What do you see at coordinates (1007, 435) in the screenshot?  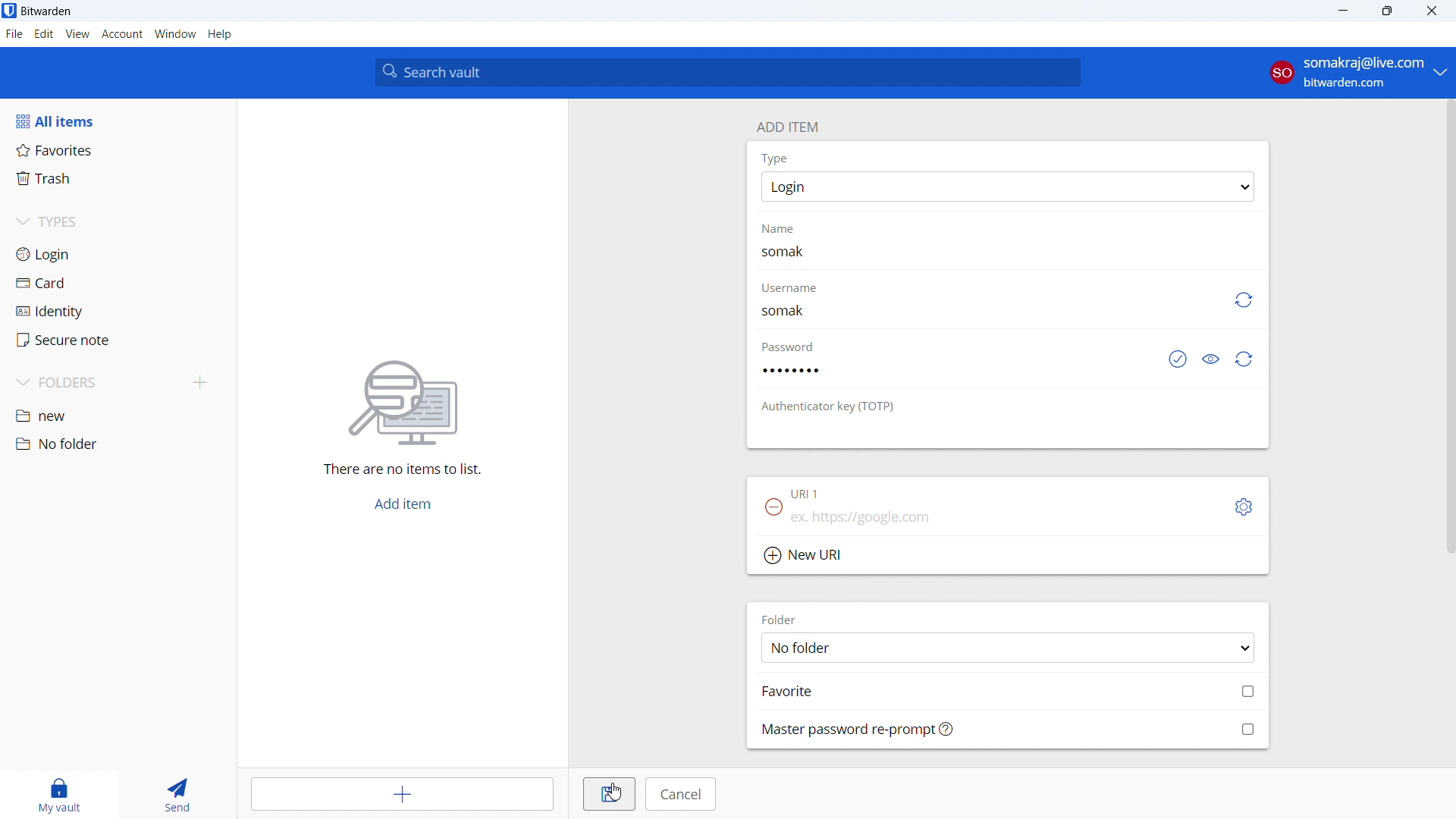 I see `add authenticator key` at bounding box center [1007, 435].